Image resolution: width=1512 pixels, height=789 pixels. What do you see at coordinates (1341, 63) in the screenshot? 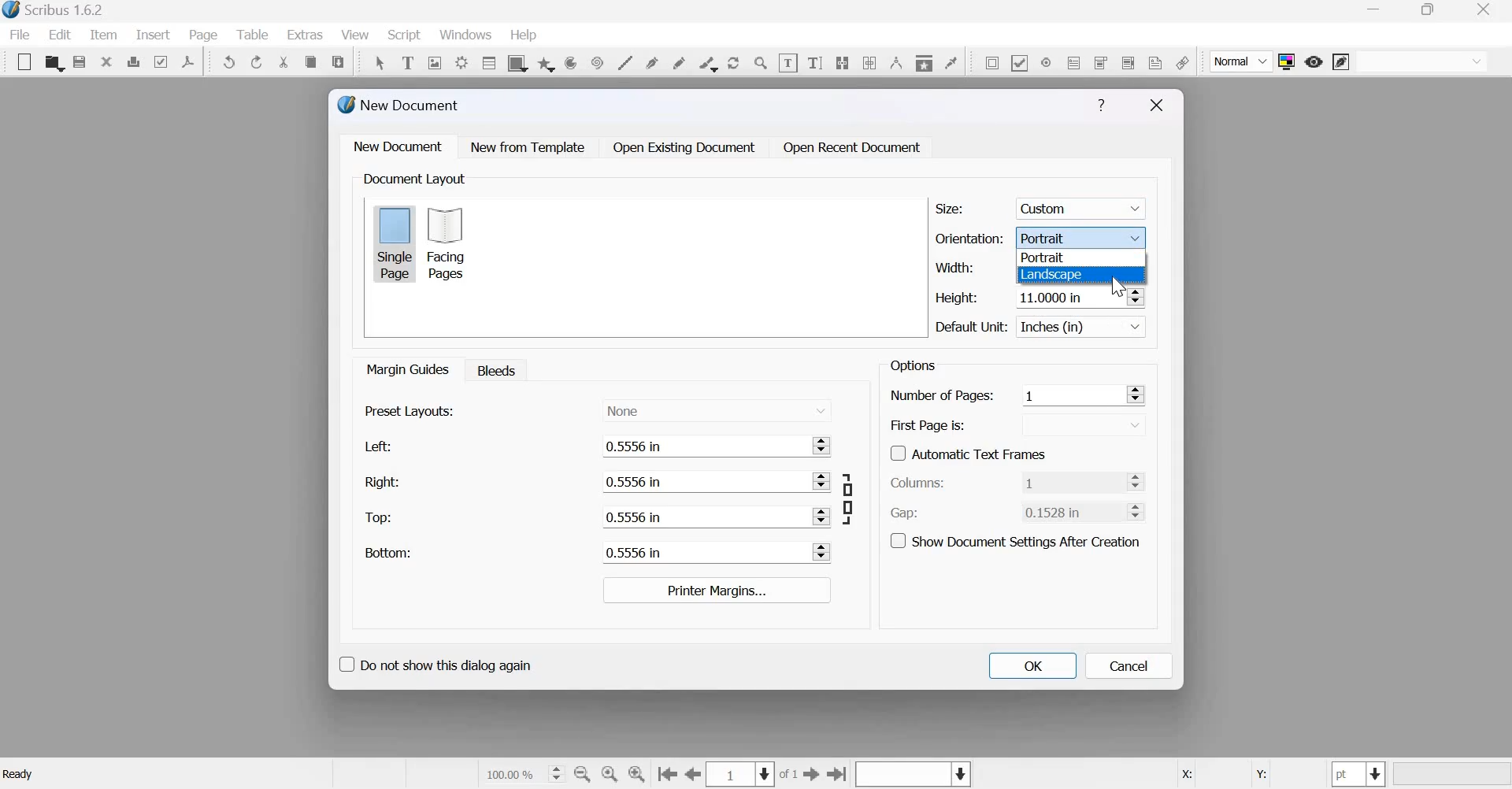
I see `edit in preview mode` at bounding box center [1341, 63].